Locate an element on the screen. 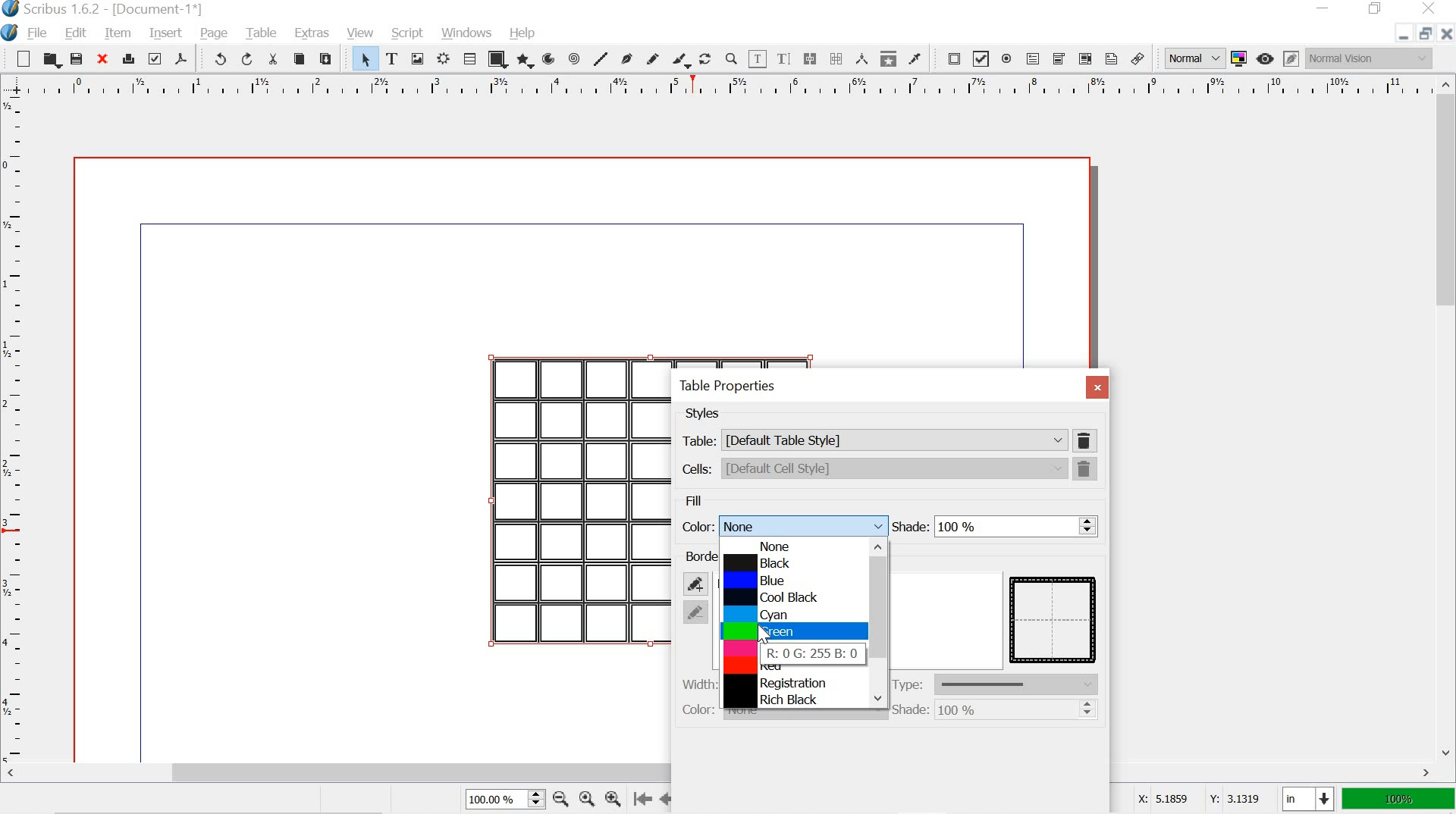  redo is located at coordinates (246, 58).